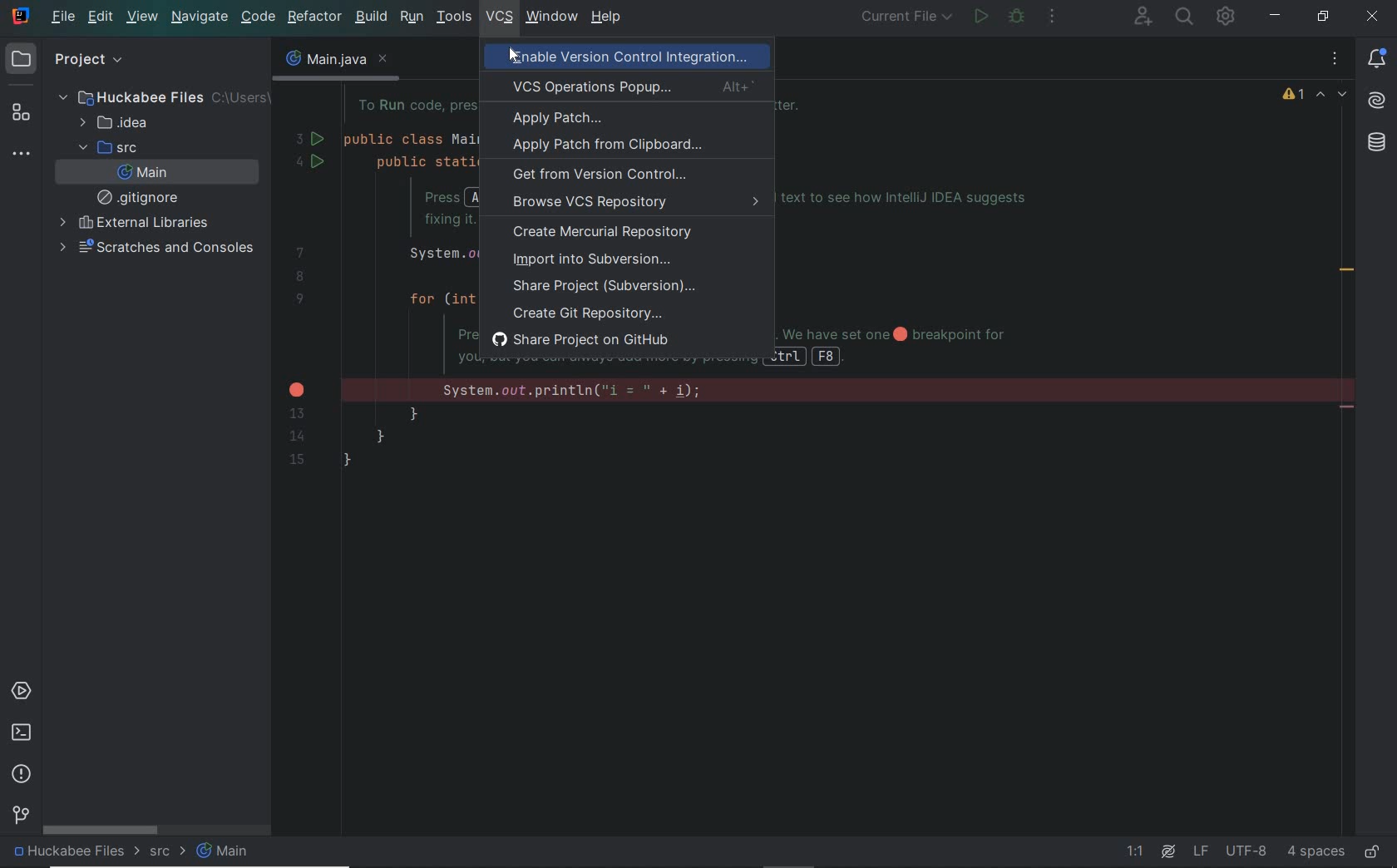  What do you see at coordinates (22, 732) in the screenshot?
I see `terminal` at bounding box center [22, 732].